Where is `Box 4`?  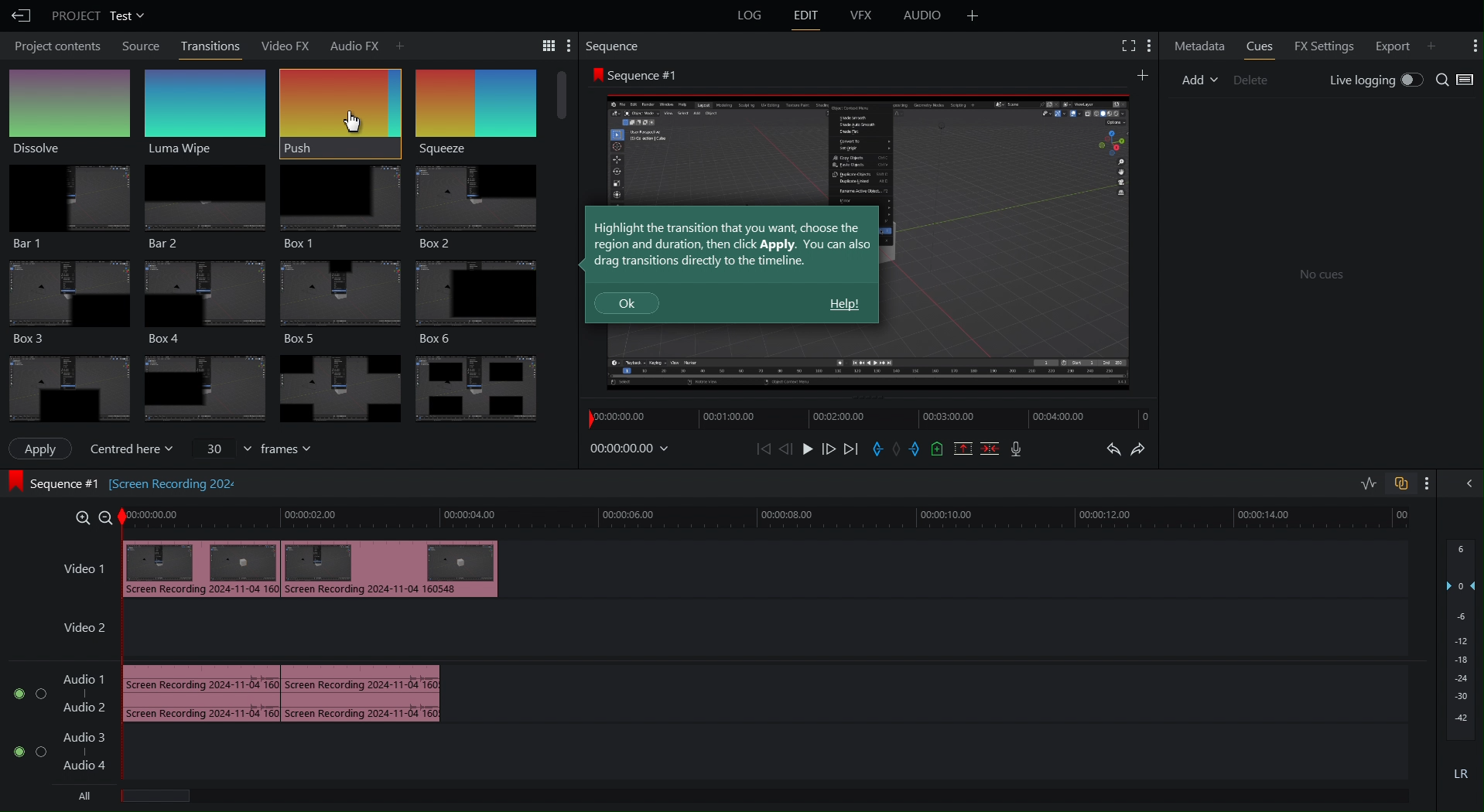 Box 4 is located at coordinates (202, 302).